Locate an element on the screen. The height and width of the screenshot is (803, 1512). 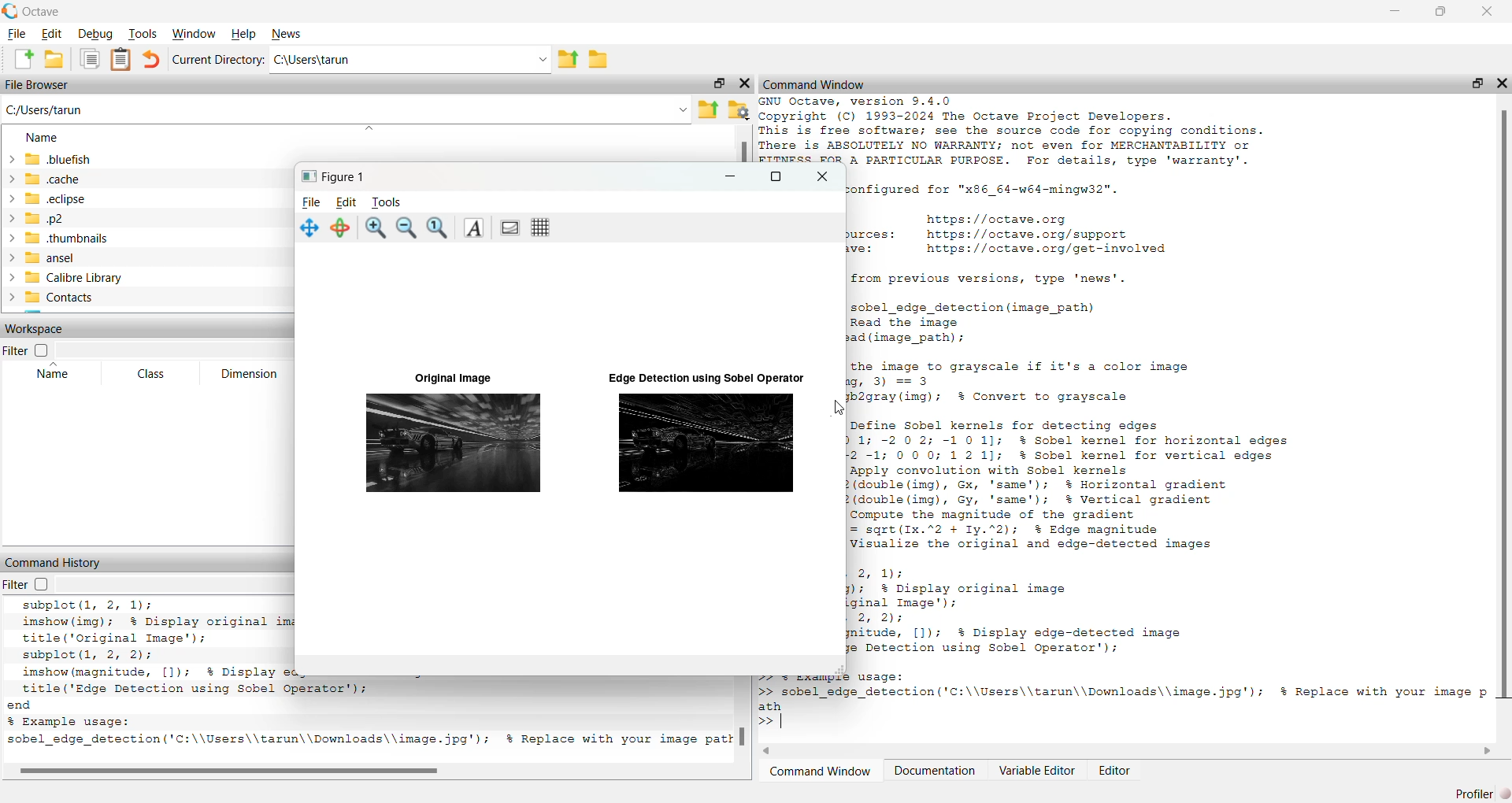
Class is located at coordinates (154, 375).